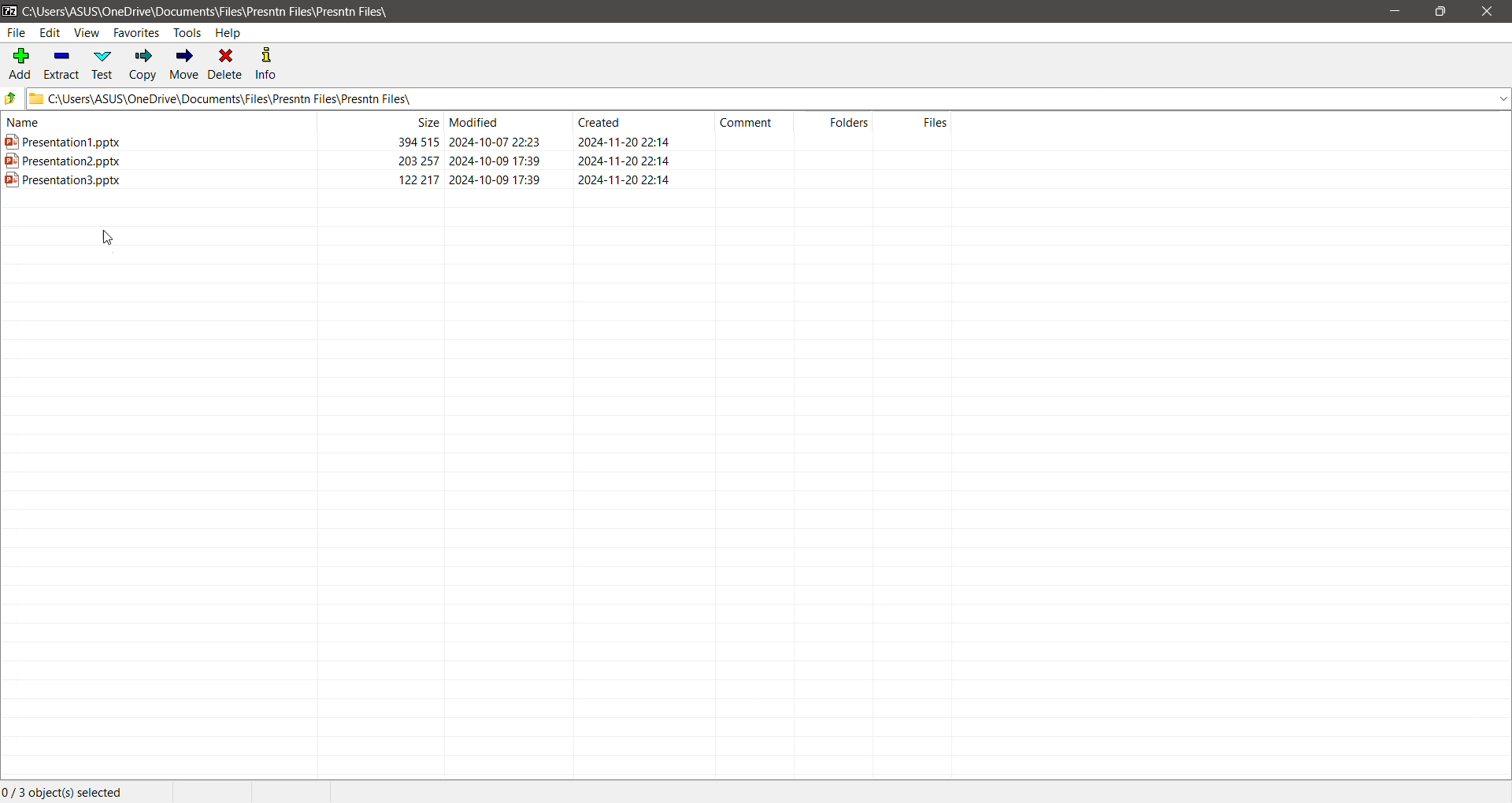 This screenshot has height=803, width=1512. What do you see at coordinates (495, 141) in the screenshot?
I see `modified date & time` at bounding box center [495, 141].